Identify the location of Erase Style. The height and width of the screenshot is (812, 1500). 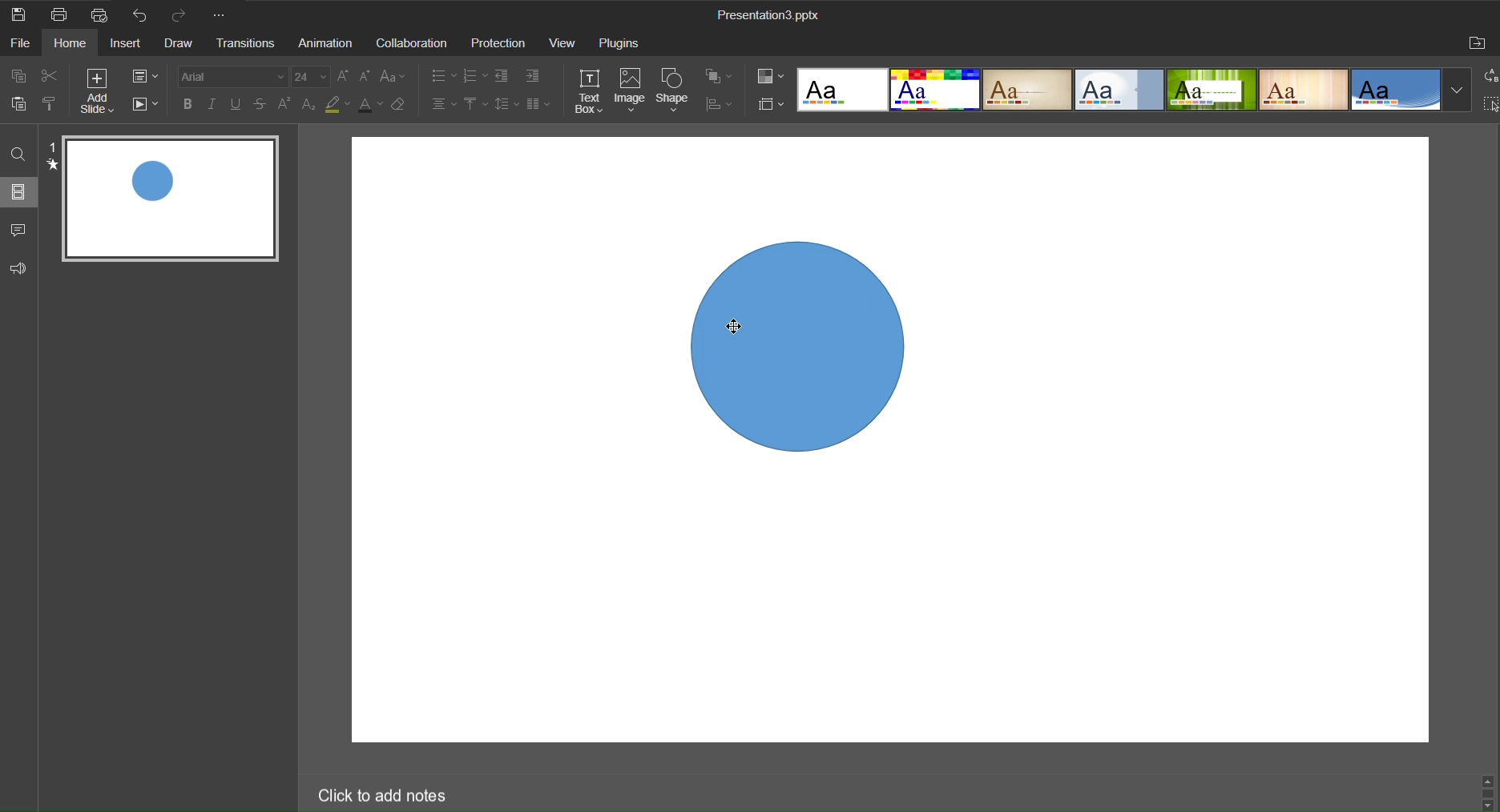
(402, 107).